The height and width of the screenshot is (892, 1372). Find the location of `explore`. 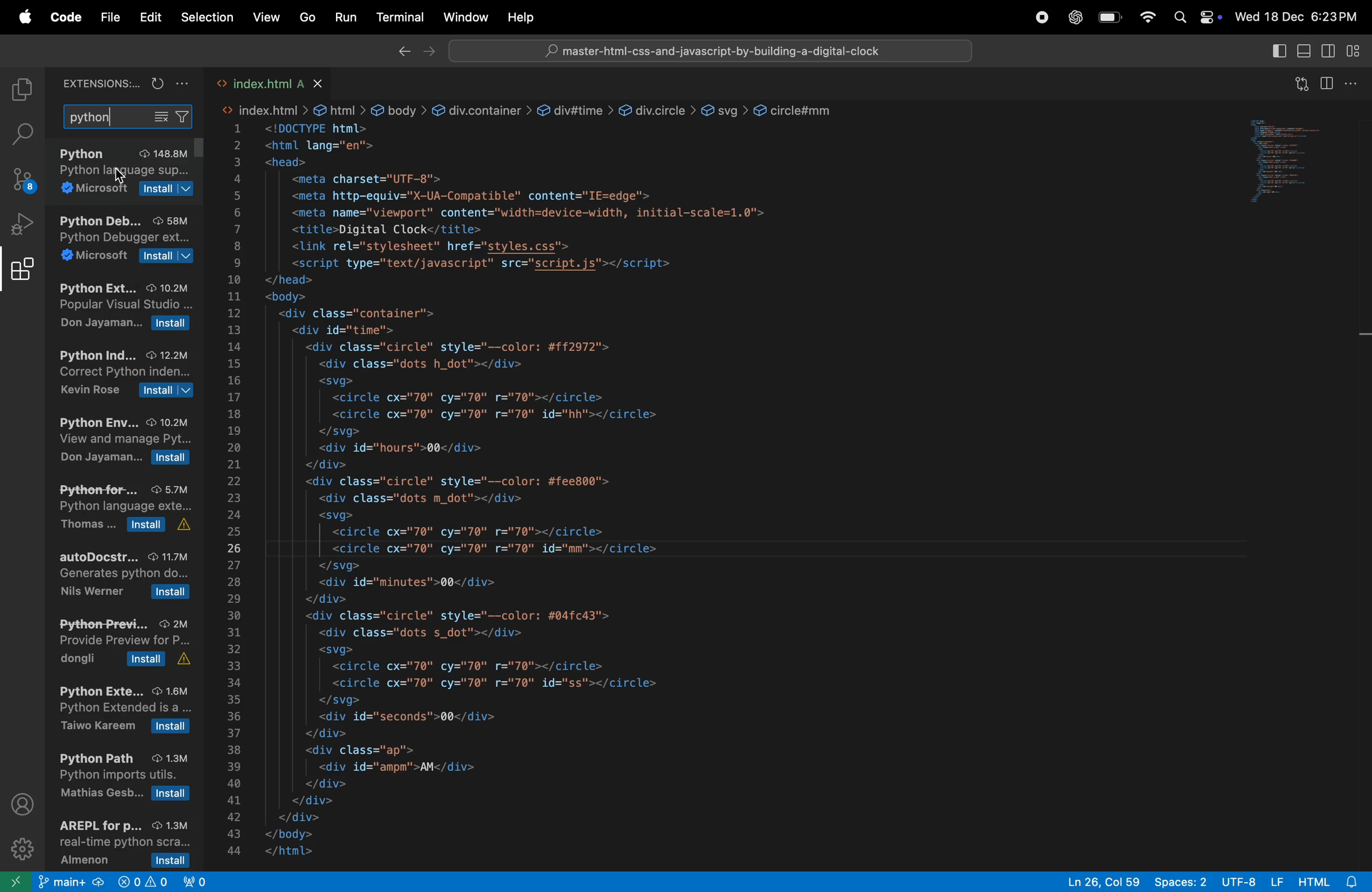

explore is located at coordinates (21, 90).